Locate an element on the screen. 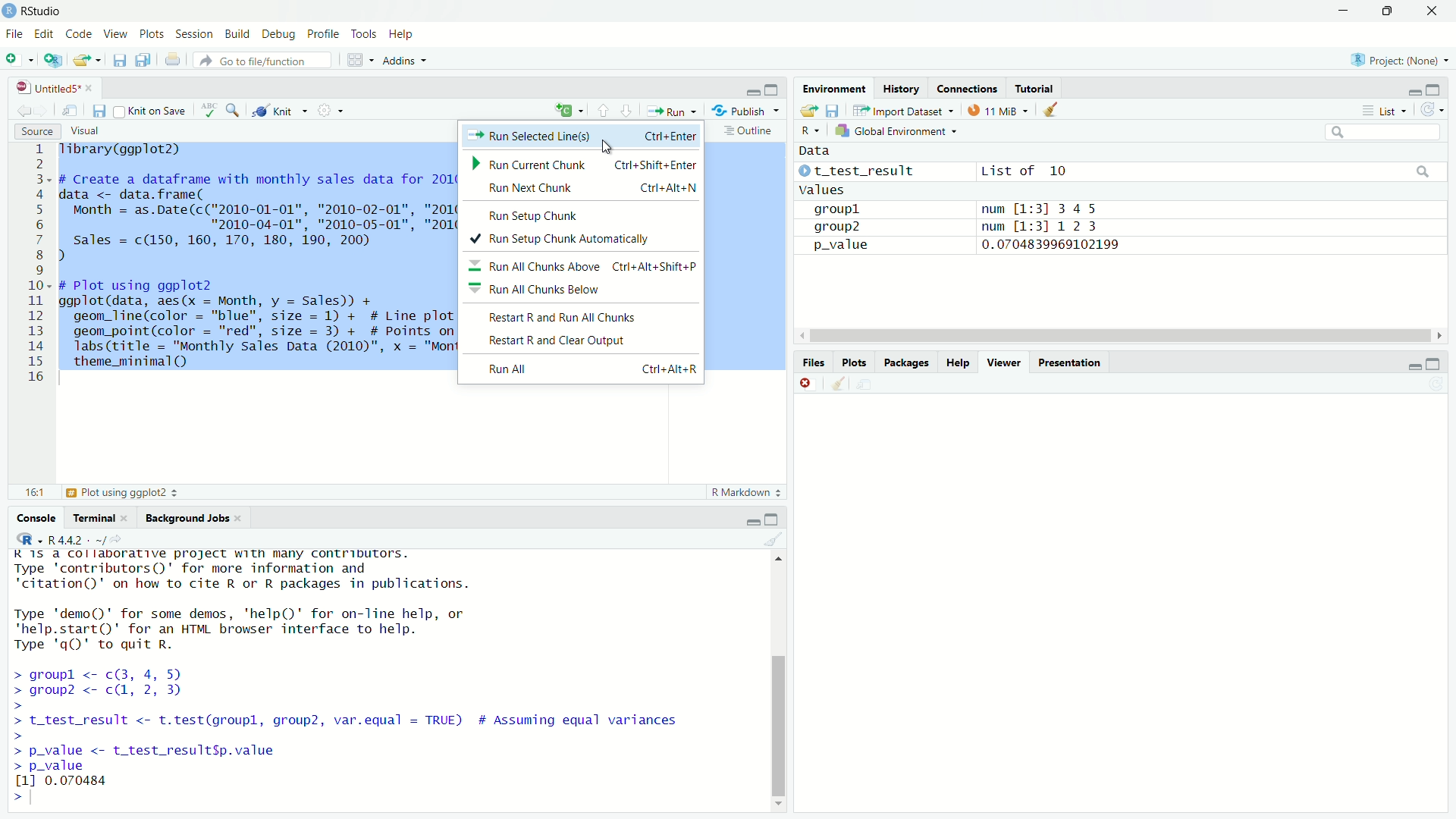 This screenshot has height=819, width=1456. Connections. is located at coordinates (967, 88).